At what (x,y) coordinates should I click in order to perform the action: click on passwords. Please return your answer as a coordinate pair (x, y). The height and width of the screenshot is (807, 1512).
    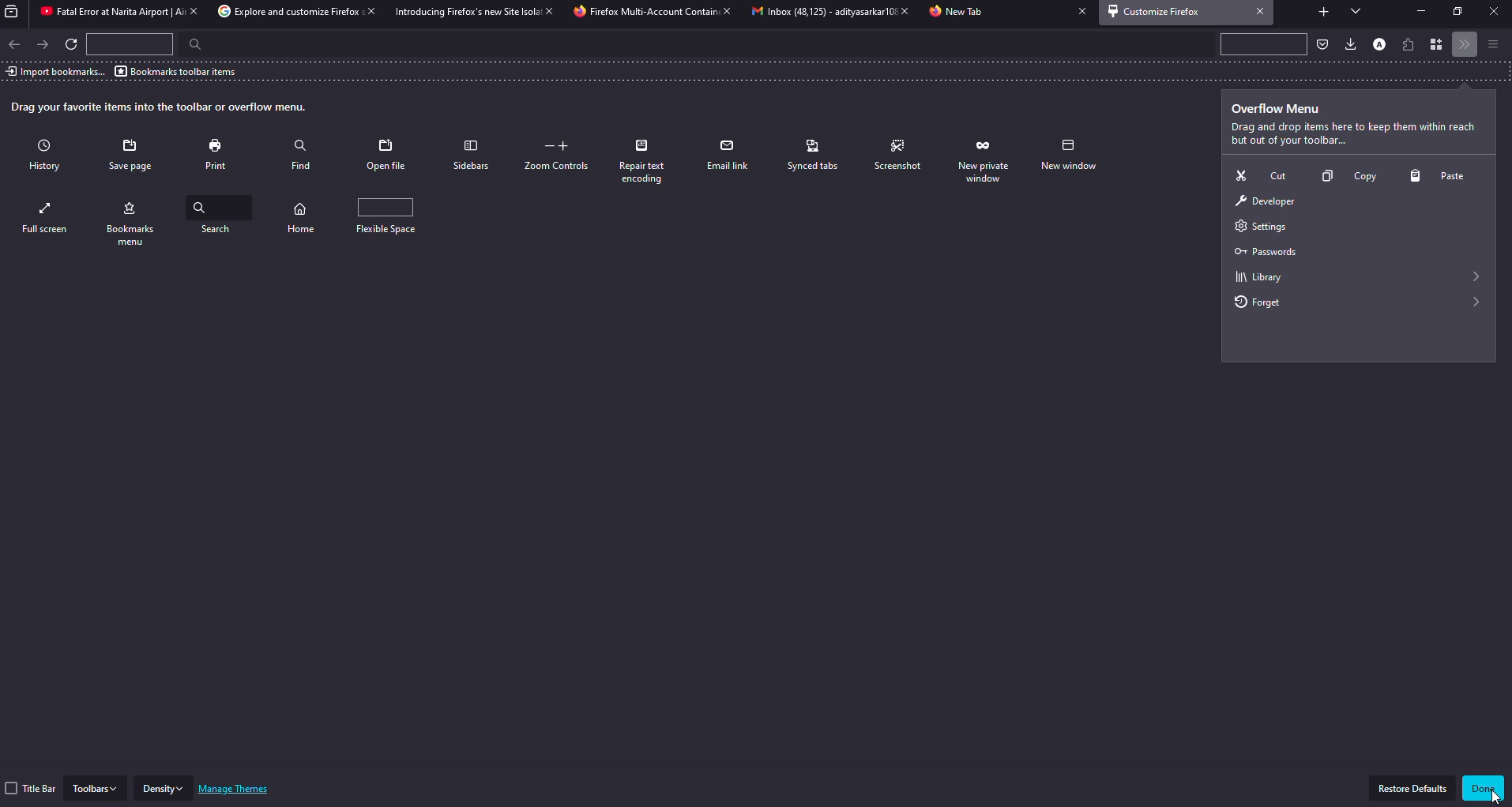
    Looking at the image, I should click on (1263, 252).